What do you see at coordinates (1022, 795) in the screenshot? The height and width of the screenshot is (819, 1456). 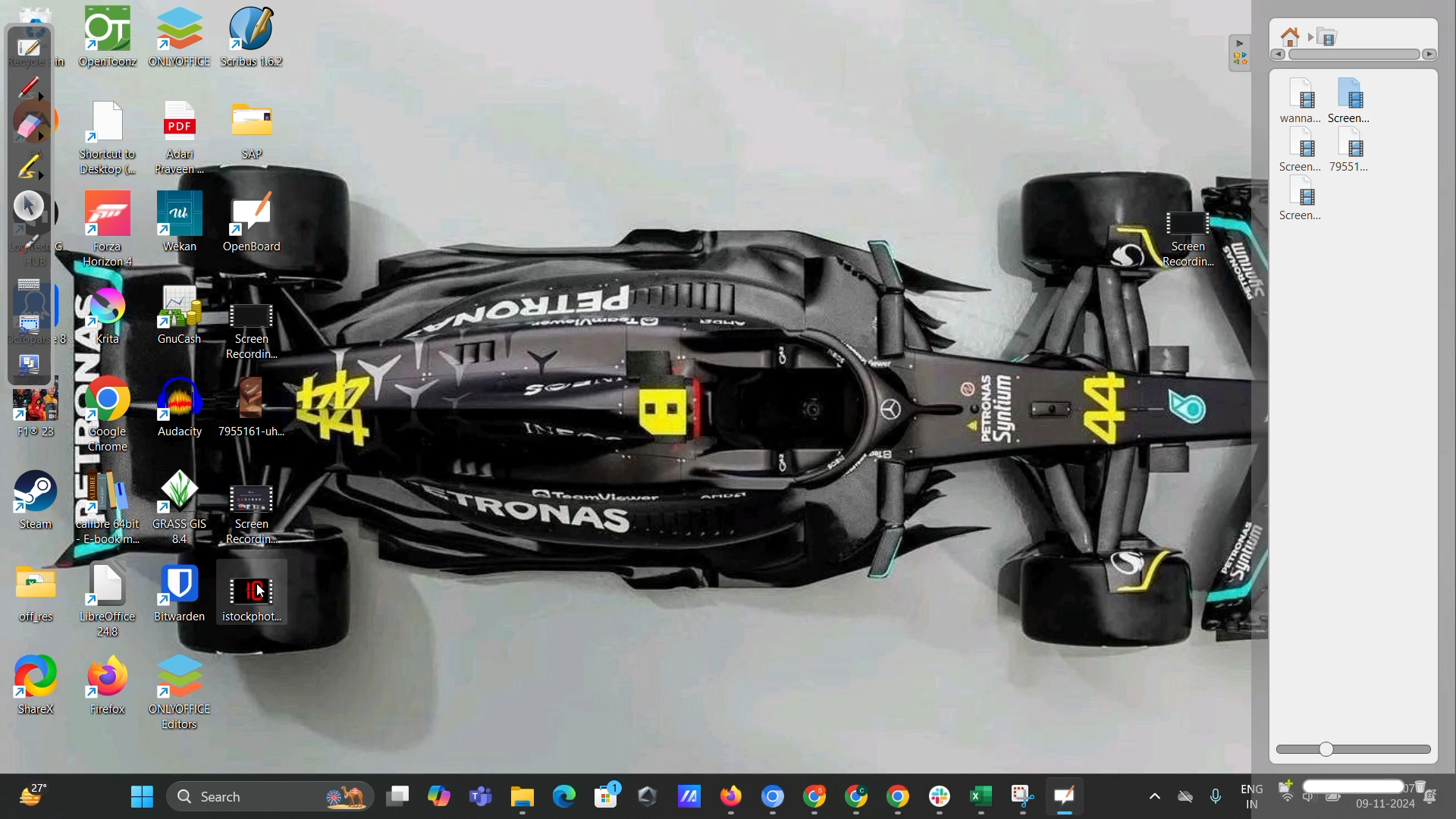 I see `Minimized snipping tool` at bounding box center [1022, 795].